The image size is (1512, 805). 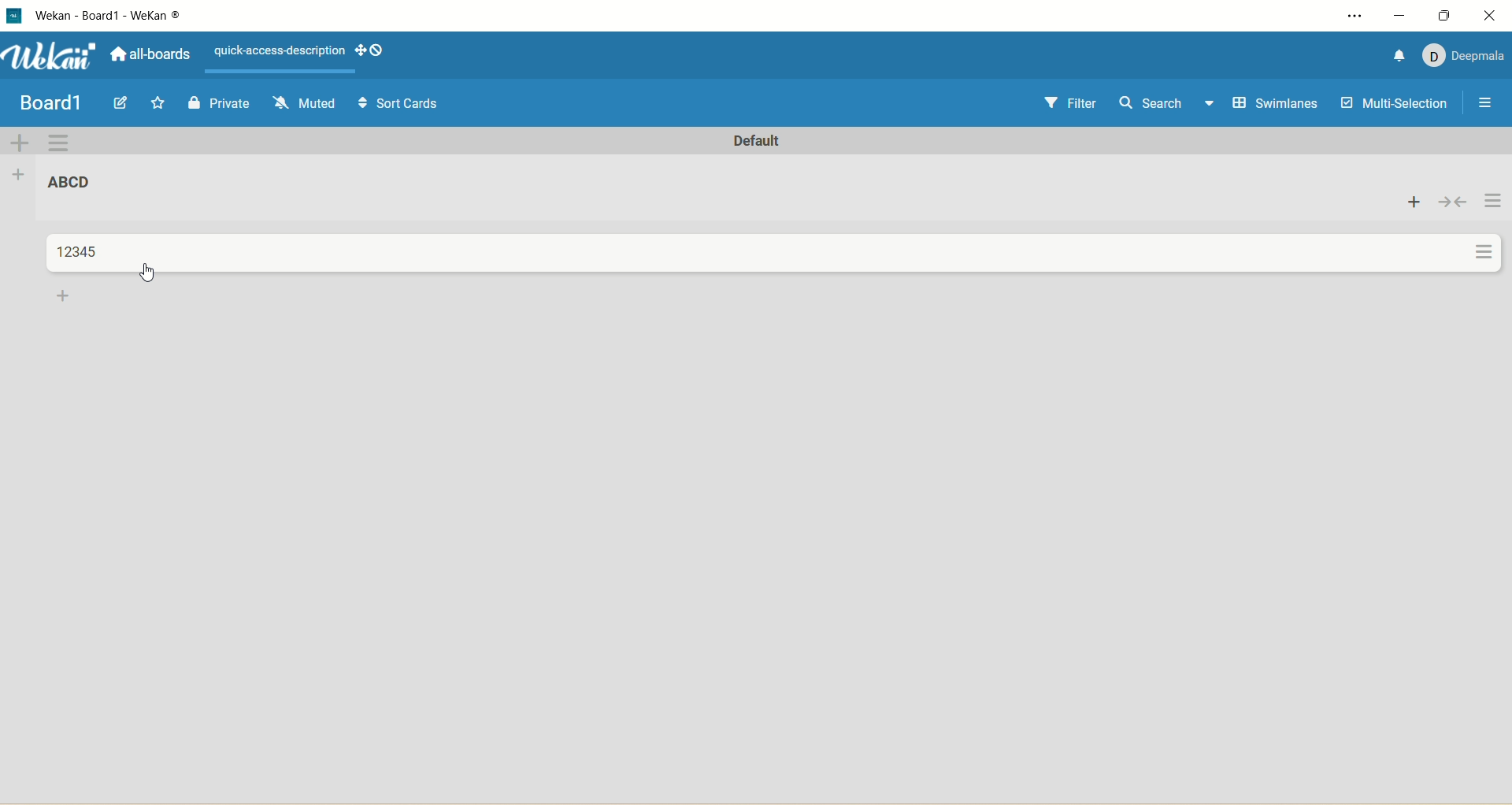 I want to click on sort cards, so click(x=399, y=106).